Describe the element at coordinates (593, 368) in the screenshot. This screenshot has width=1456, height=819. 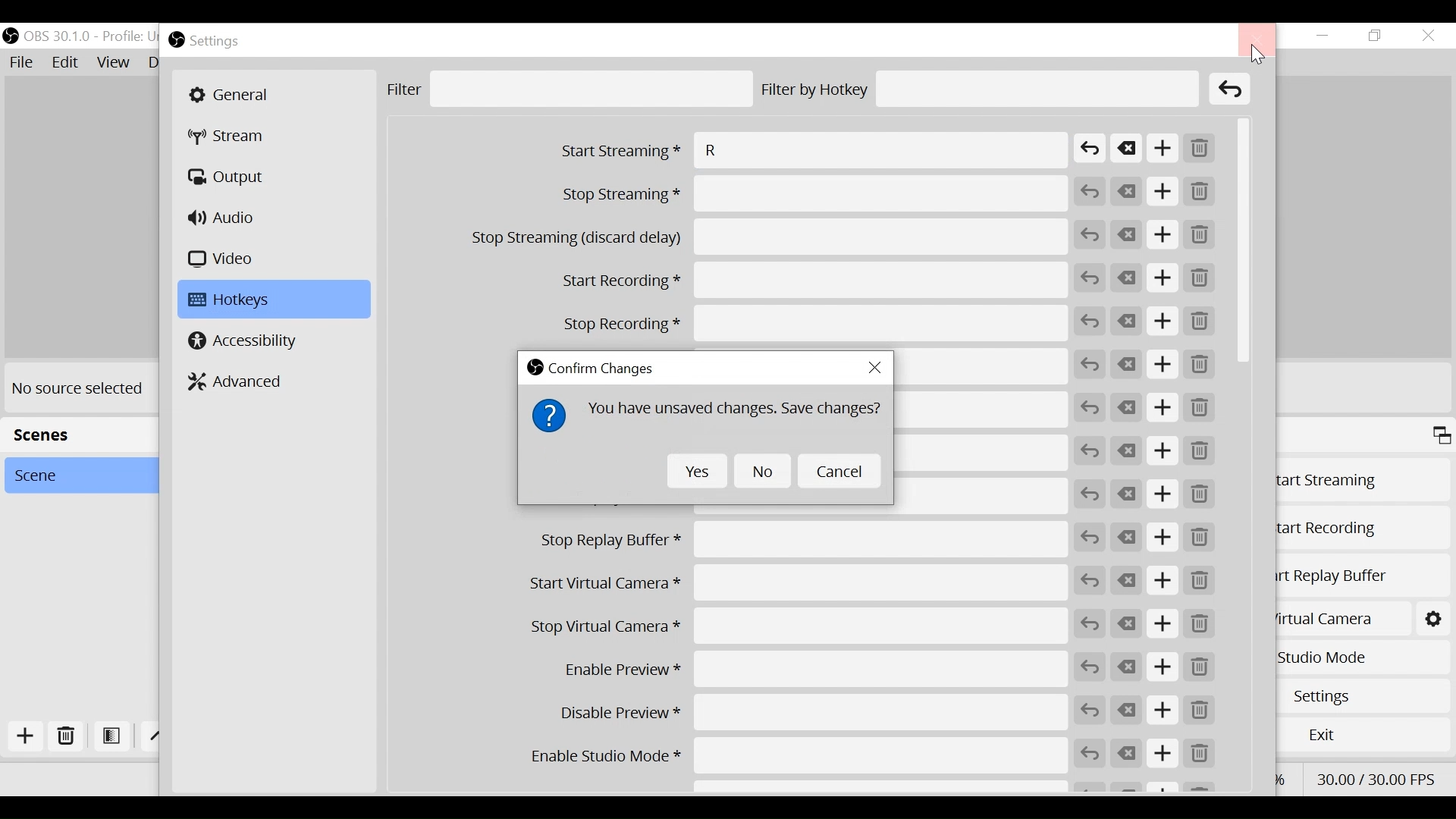
I see `Confirm Changes` at that location.